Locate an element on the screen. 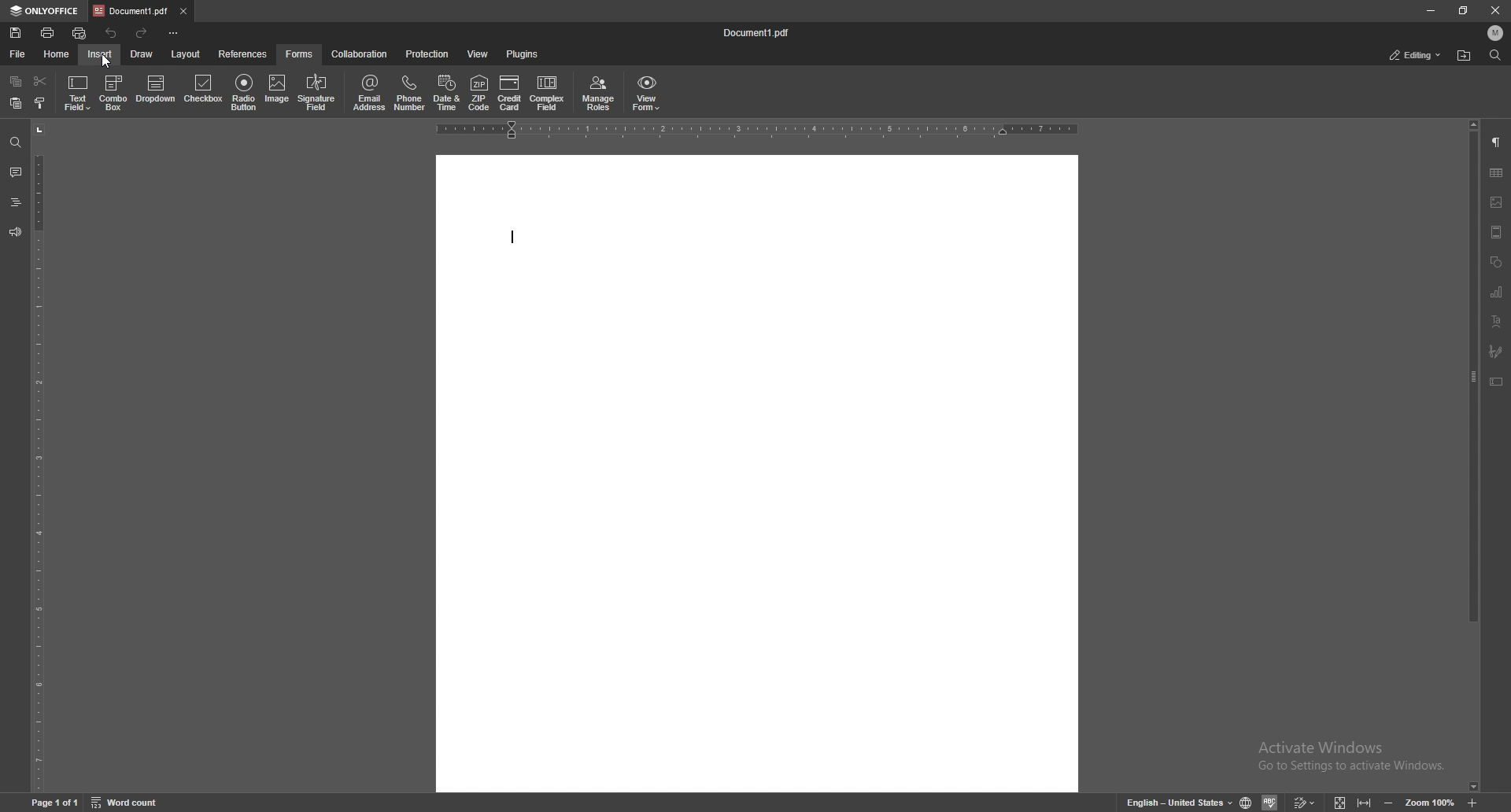 Image resolution: width=1511 pixels, height=812 pixels. scroll bar is located at coordinates (1474, 456).